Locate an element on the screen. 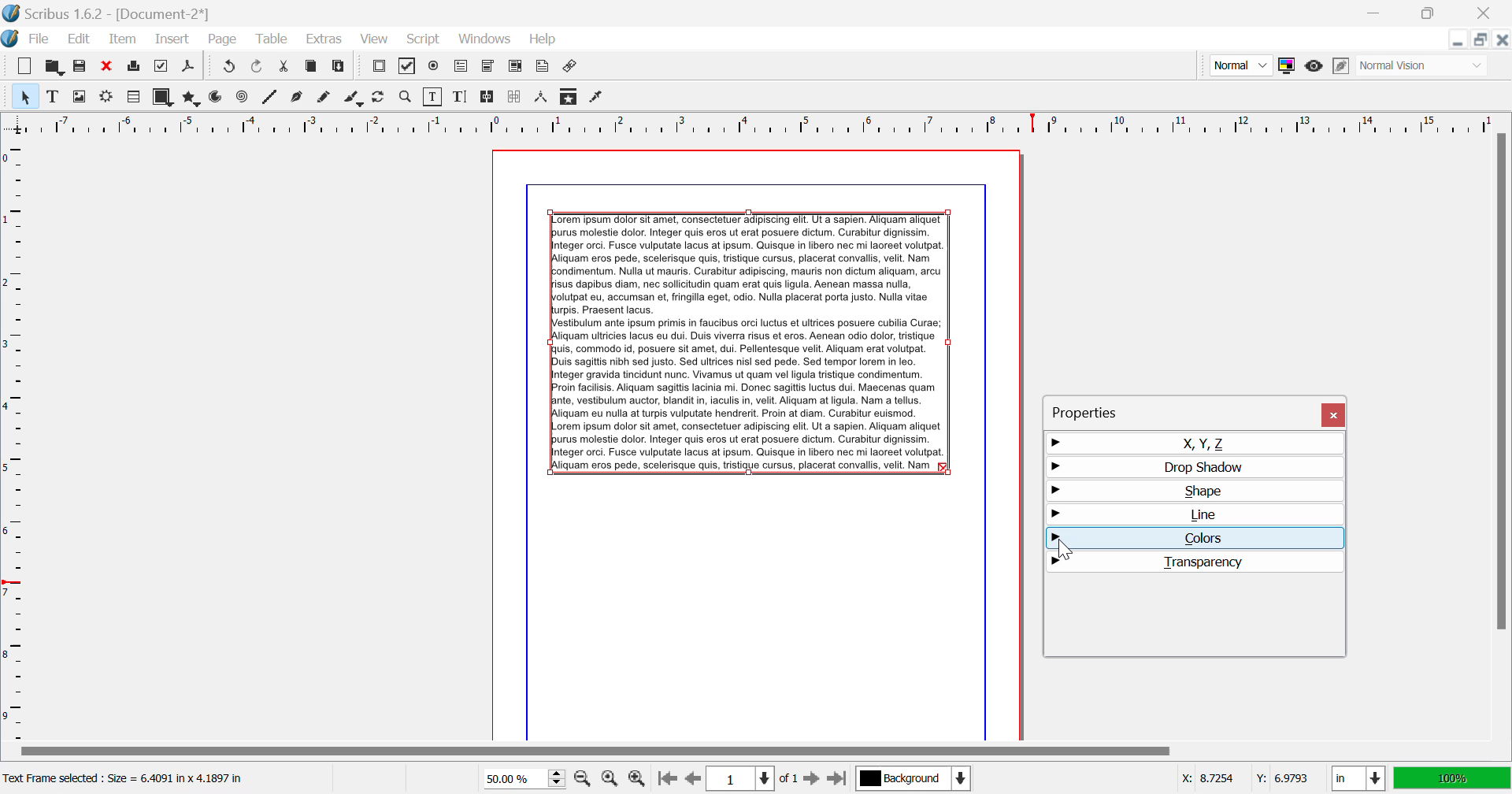  Undo is located at coordinates (259, 68).